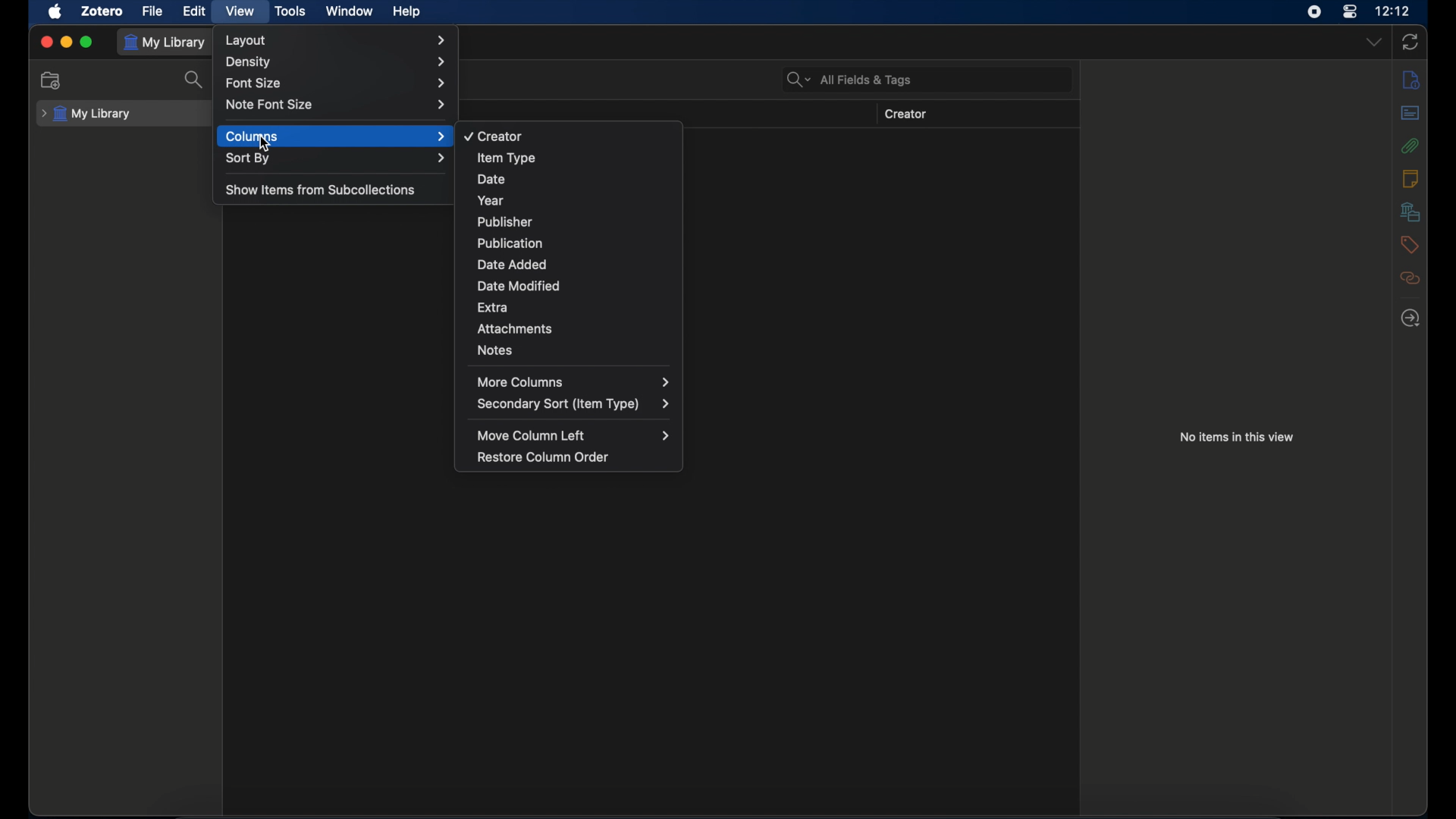 The height and width of the screenshot is (819, 1456). I want to click on item type, so click(507, 158).